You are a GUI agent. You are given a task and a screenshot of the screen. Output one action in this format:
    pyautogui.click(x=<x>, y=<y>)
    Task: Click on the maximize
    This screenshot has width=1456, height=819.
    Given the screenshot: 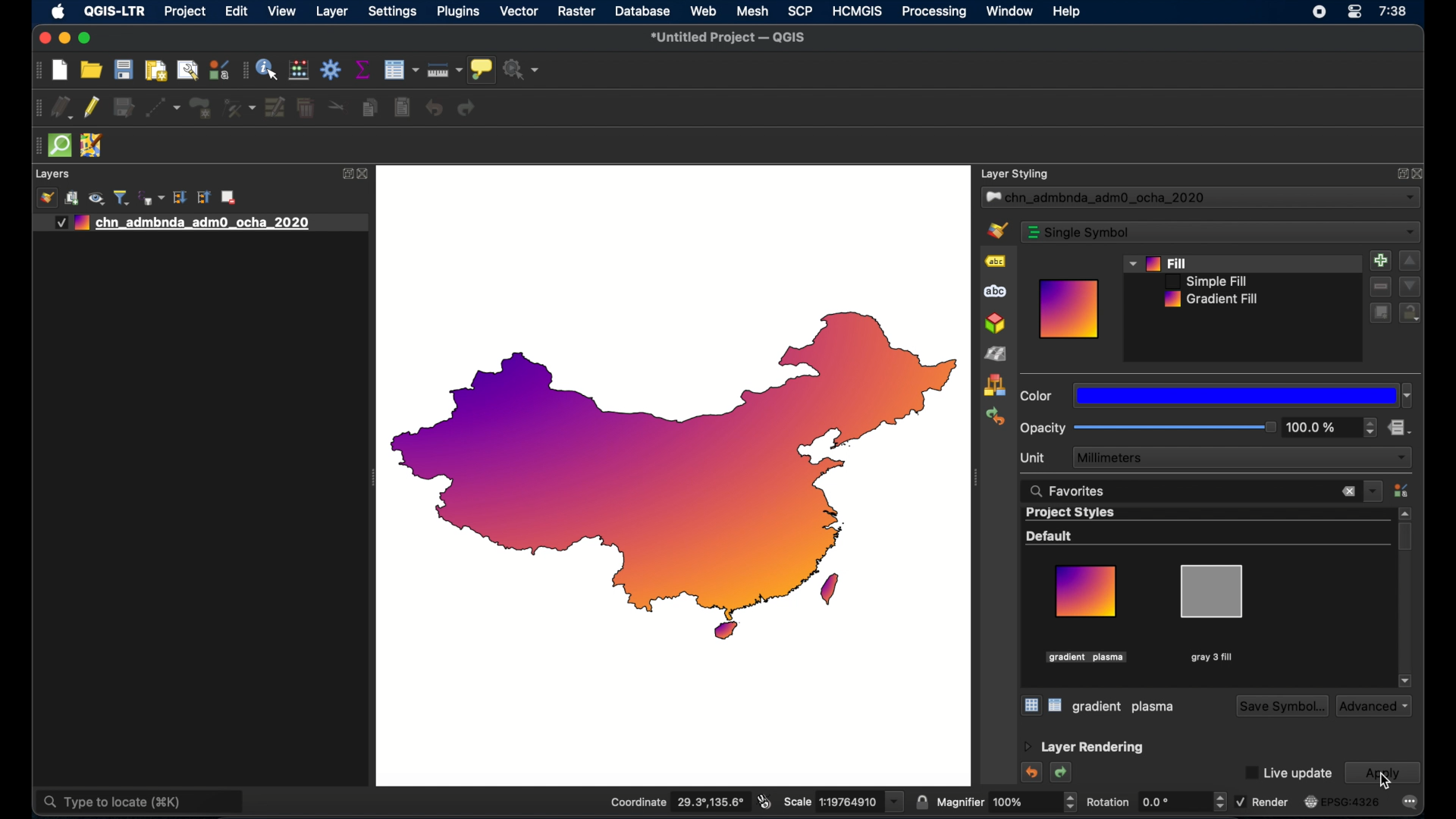 What is the action you would take?
    pyautogui.click(x=86, y=39)
    